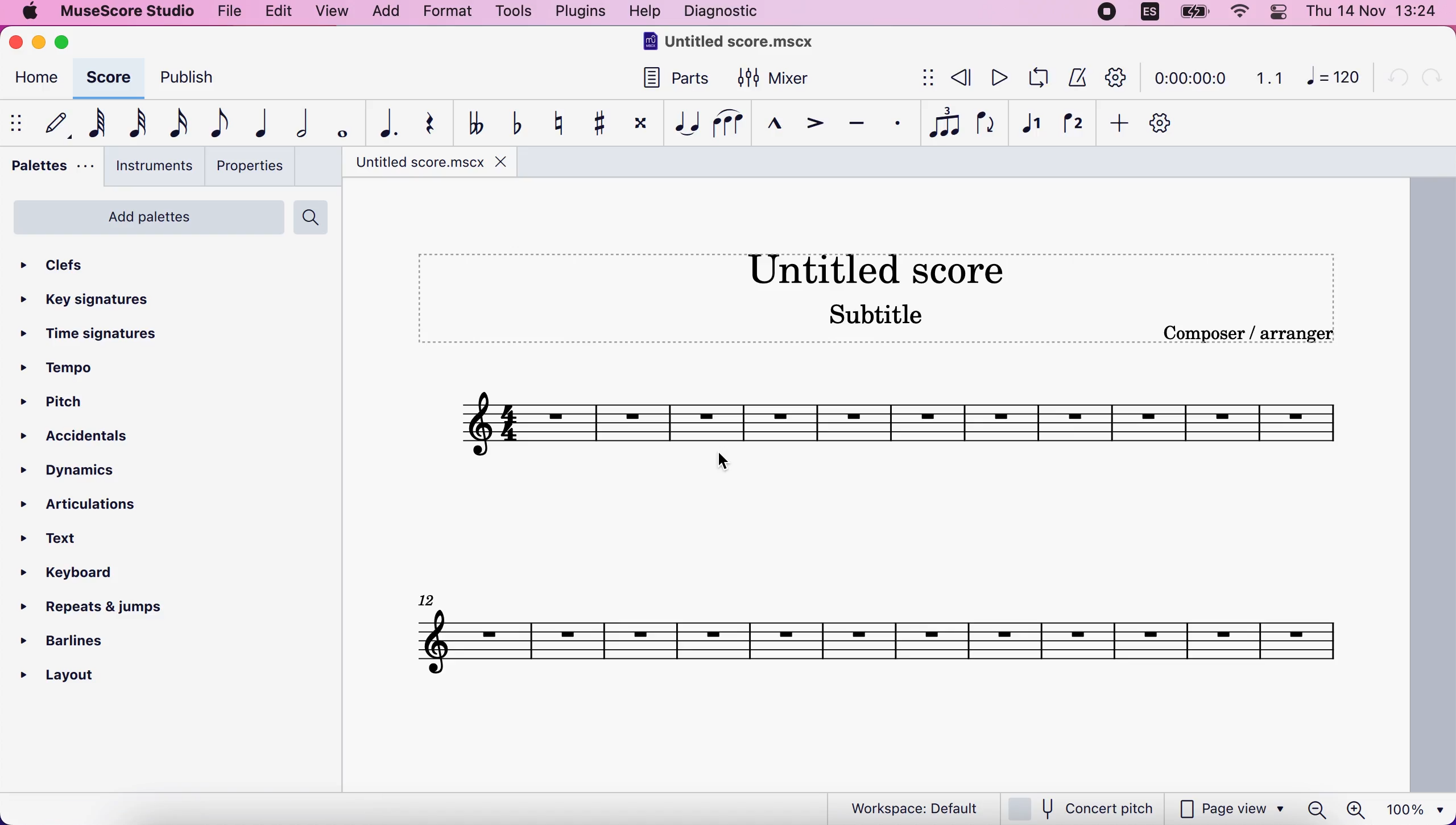 This screenshot has height=825, width=1456. I want to click on musescore studio, so click(123, 13).